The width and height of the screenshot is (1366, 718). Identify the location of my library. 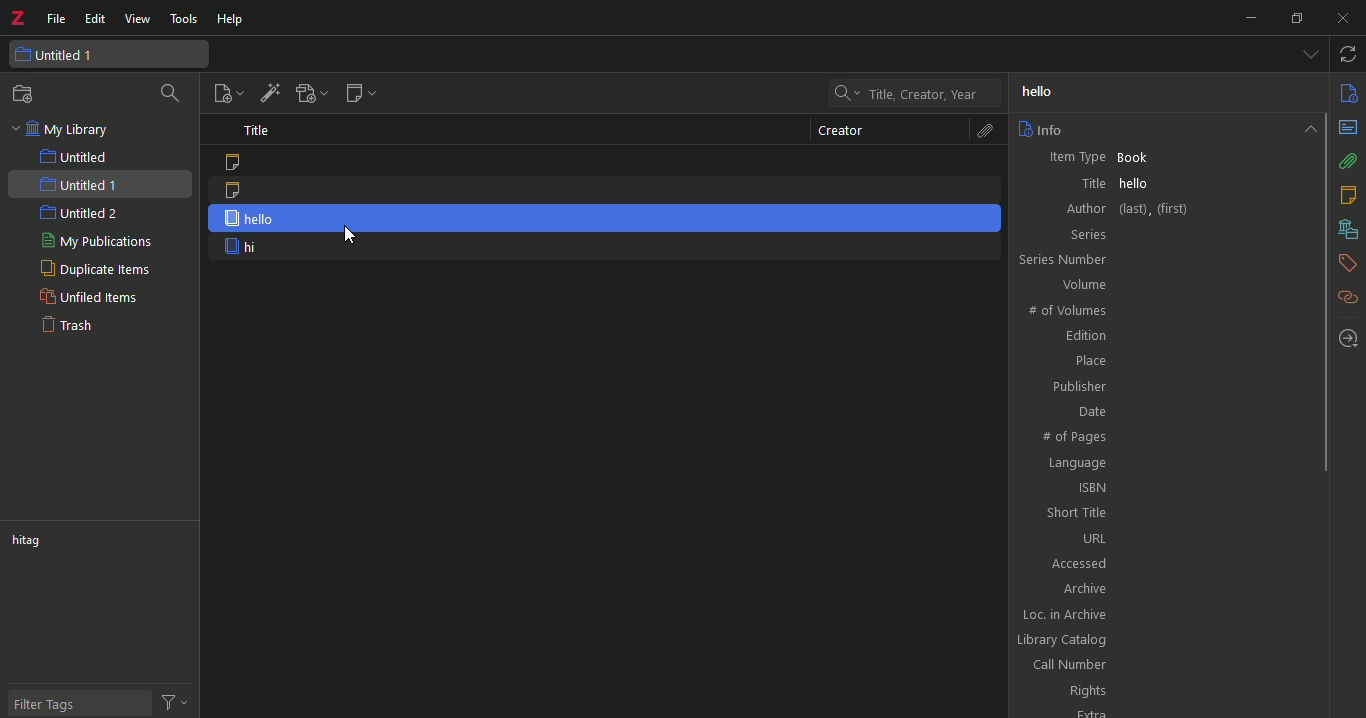
(63, 129).